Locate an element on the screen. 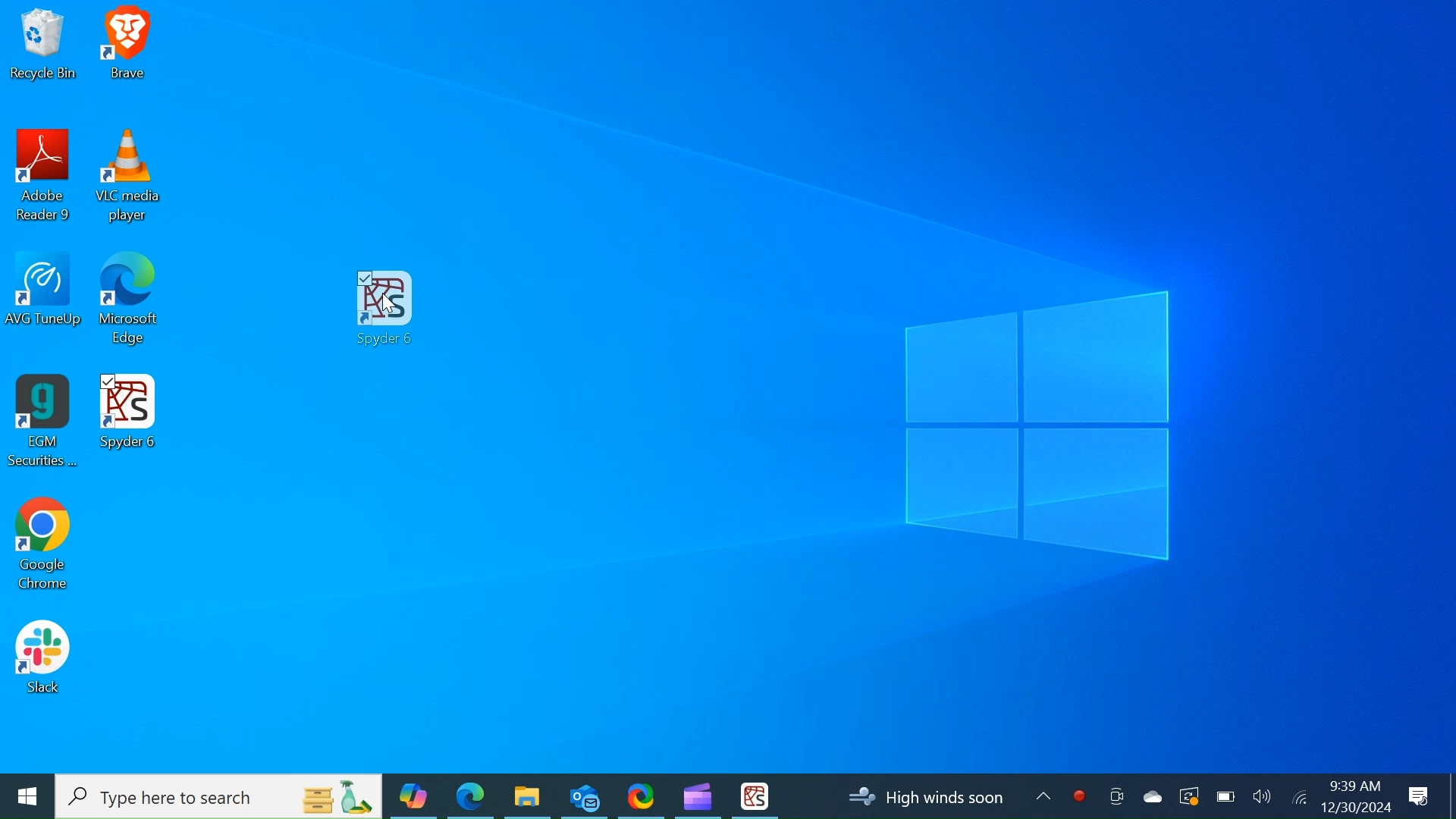 This screenshot has width=1456, height=819. Copilot is located at coordinates (413, 795).